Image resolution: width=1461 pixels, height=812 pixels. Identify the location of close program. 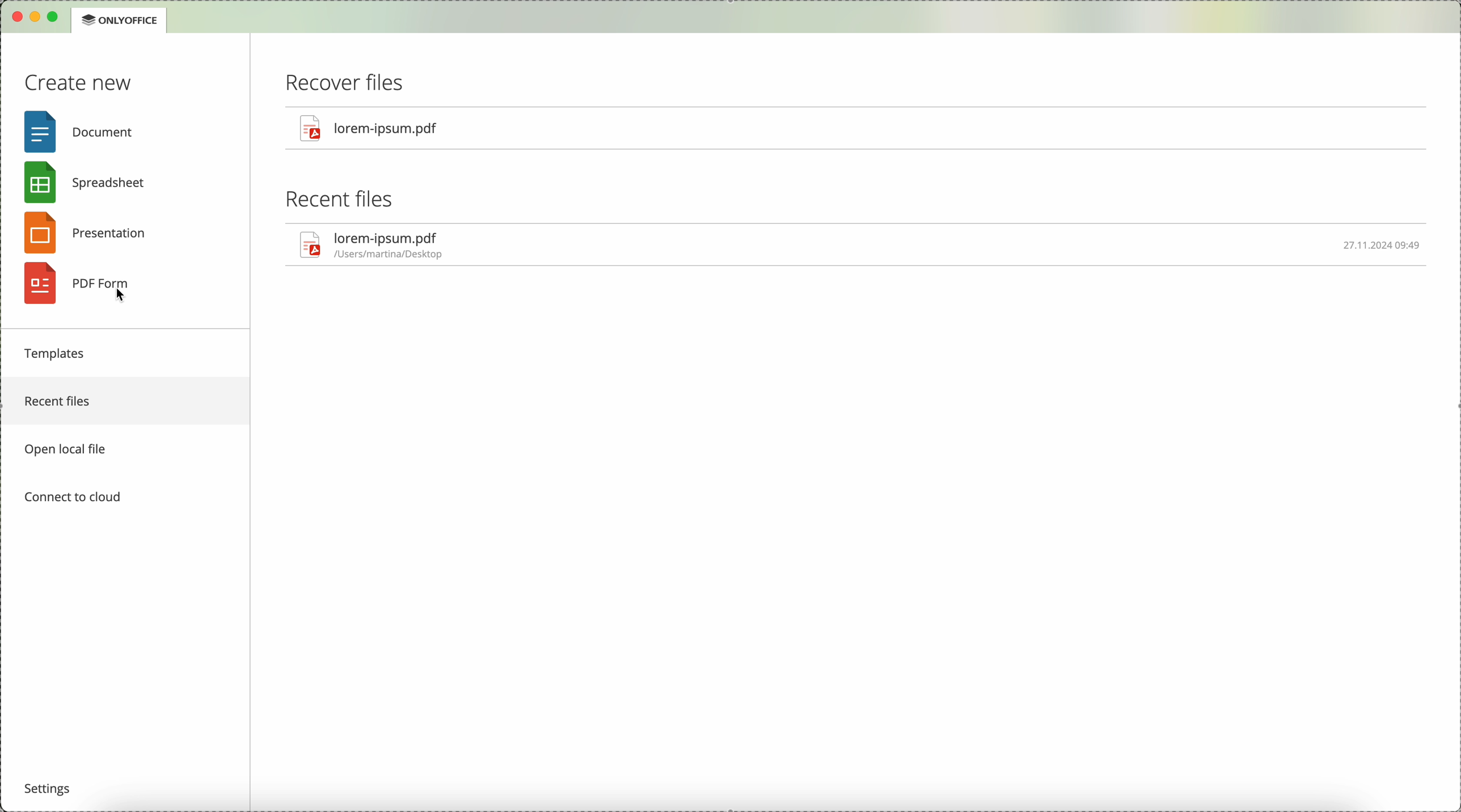
(15, 19).